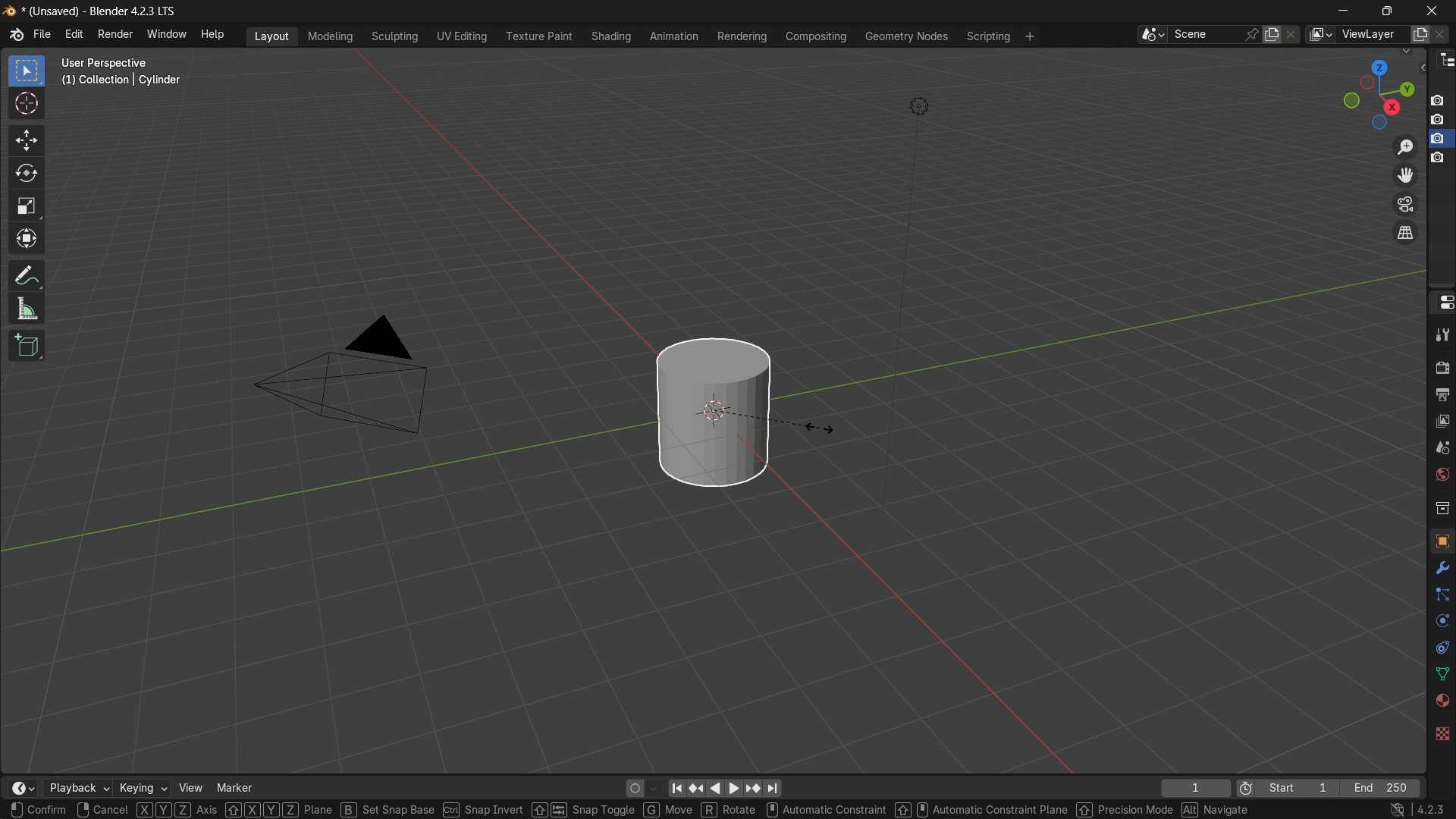 The width and height of the screenshot is (1456, 819). What do you see at coordinates (1384, 788) in the screenshot?
I see `End 250` at bounding box center [1384, 788].